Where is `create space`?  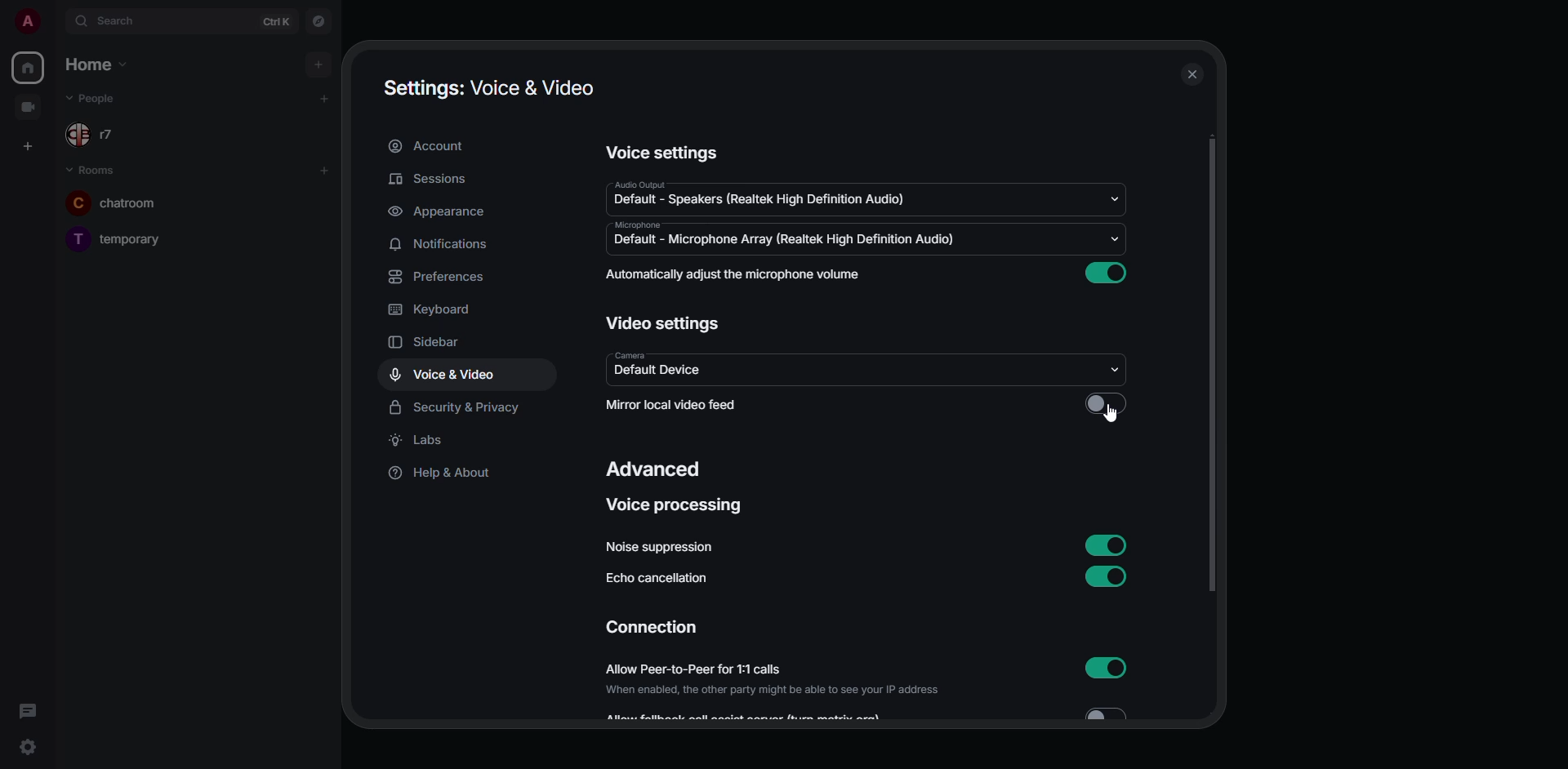
create space is located at coordinates (25, 147).